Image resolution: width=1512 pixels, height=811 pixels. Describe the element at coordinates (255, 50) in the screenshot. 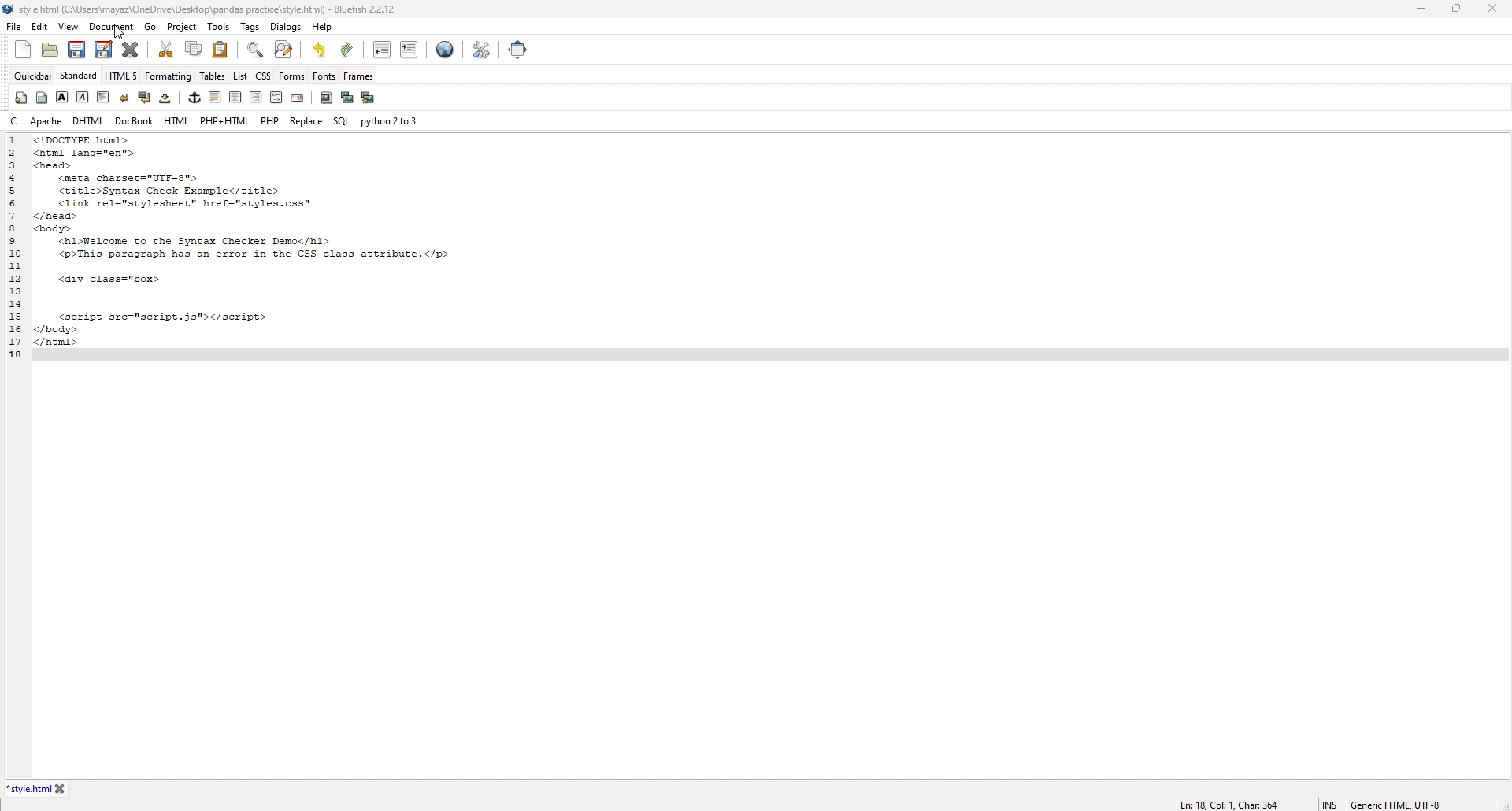

I see `find bar` at that location.